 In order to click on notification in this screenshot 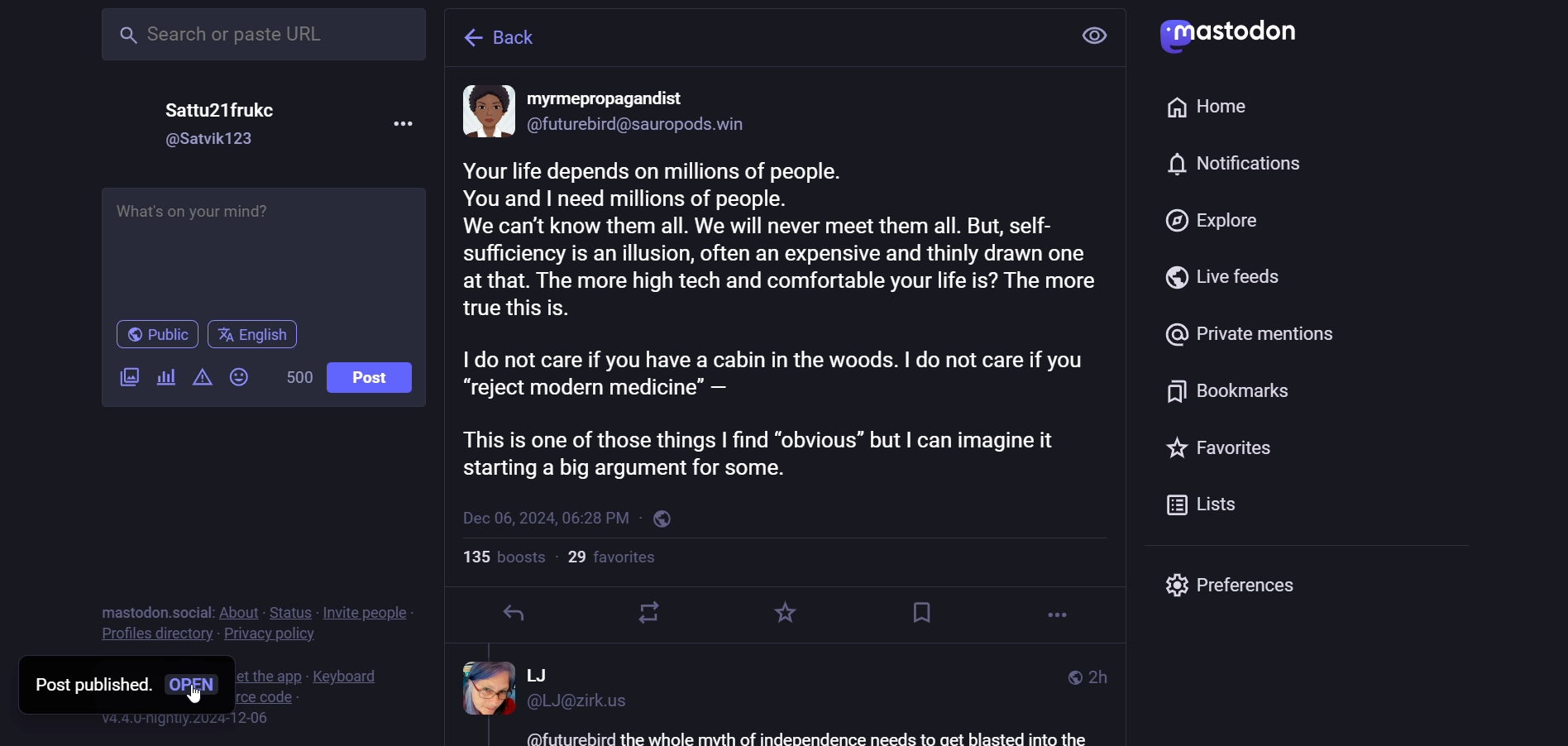, I will do `click(1237, 165)`.